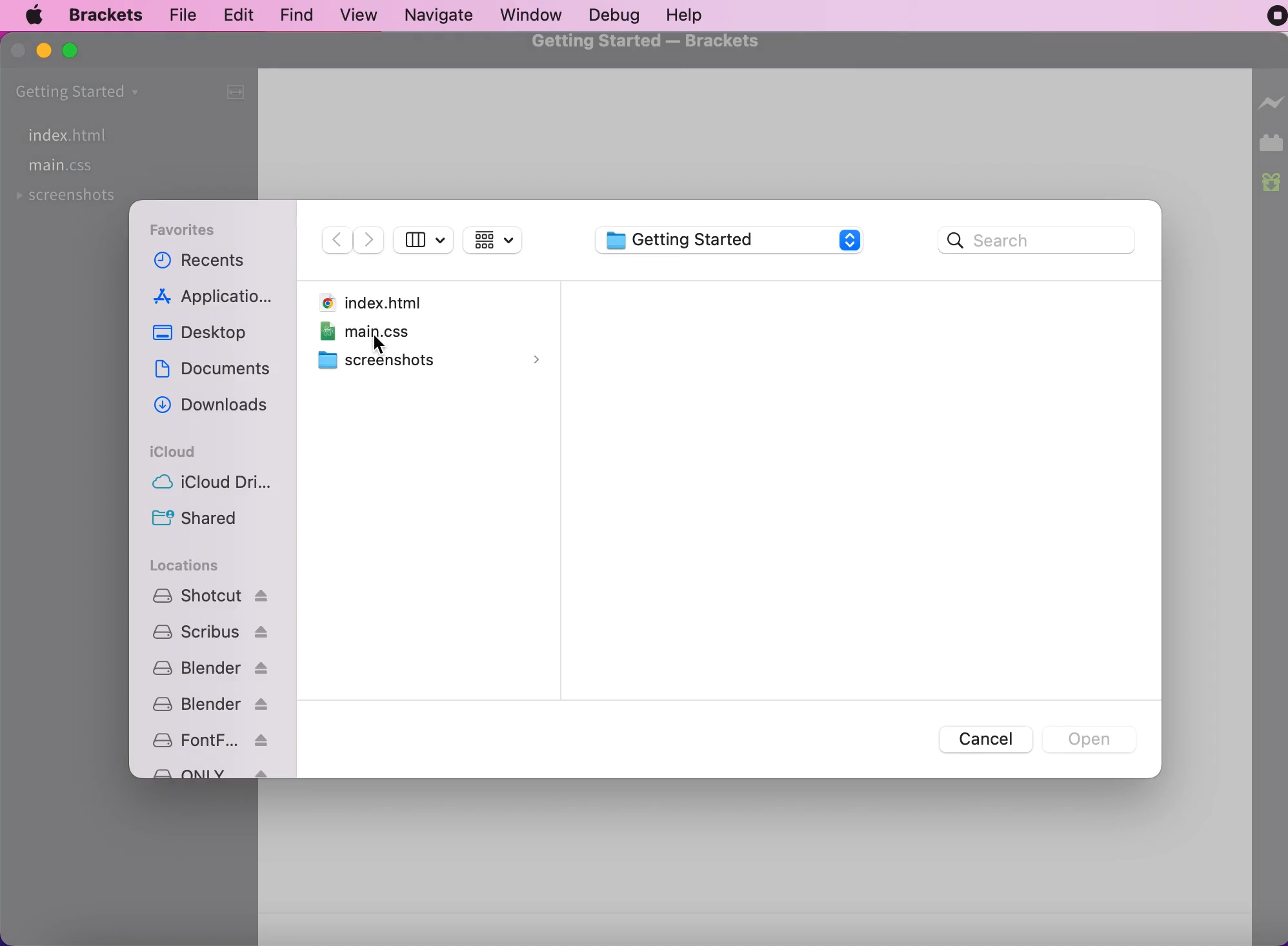  Describe the element at coordinates (533, 15) in the screenshot. I see `window` at that location.